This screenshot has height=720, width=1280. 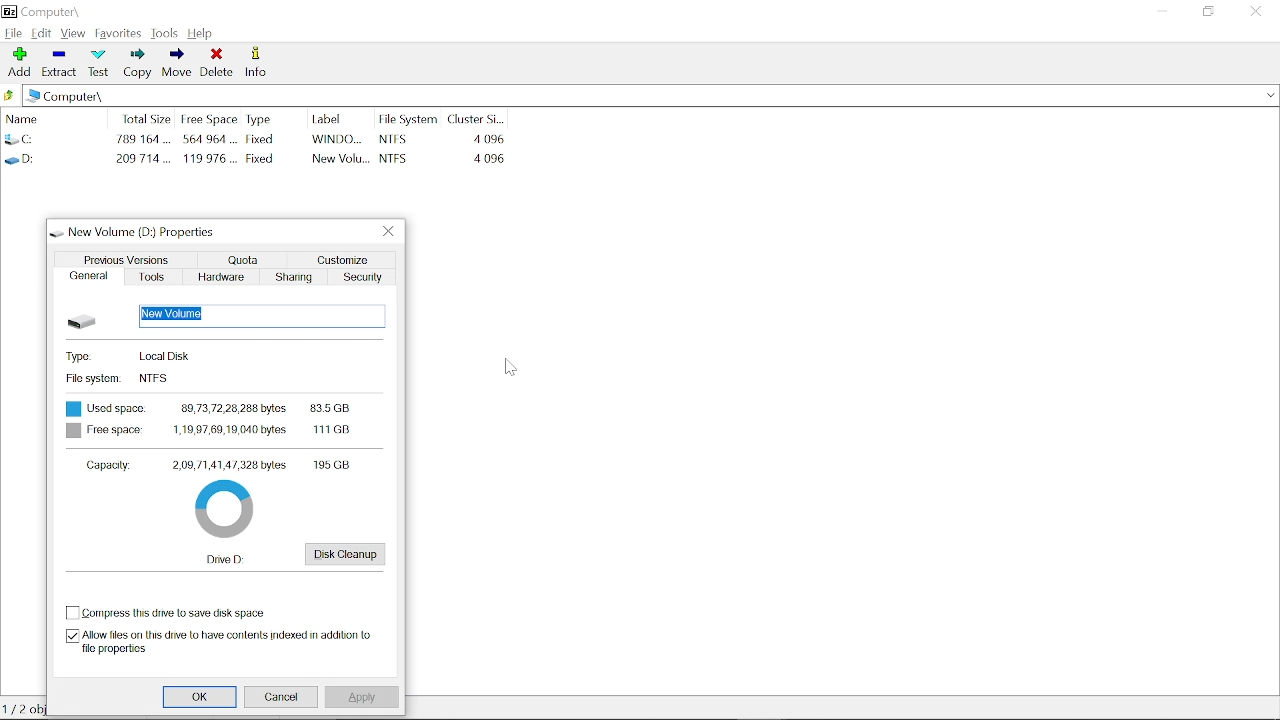 What do you see at coordinates (11, 97) in the screenshot?
I see `back to last location` at bounding box center [11, 97].